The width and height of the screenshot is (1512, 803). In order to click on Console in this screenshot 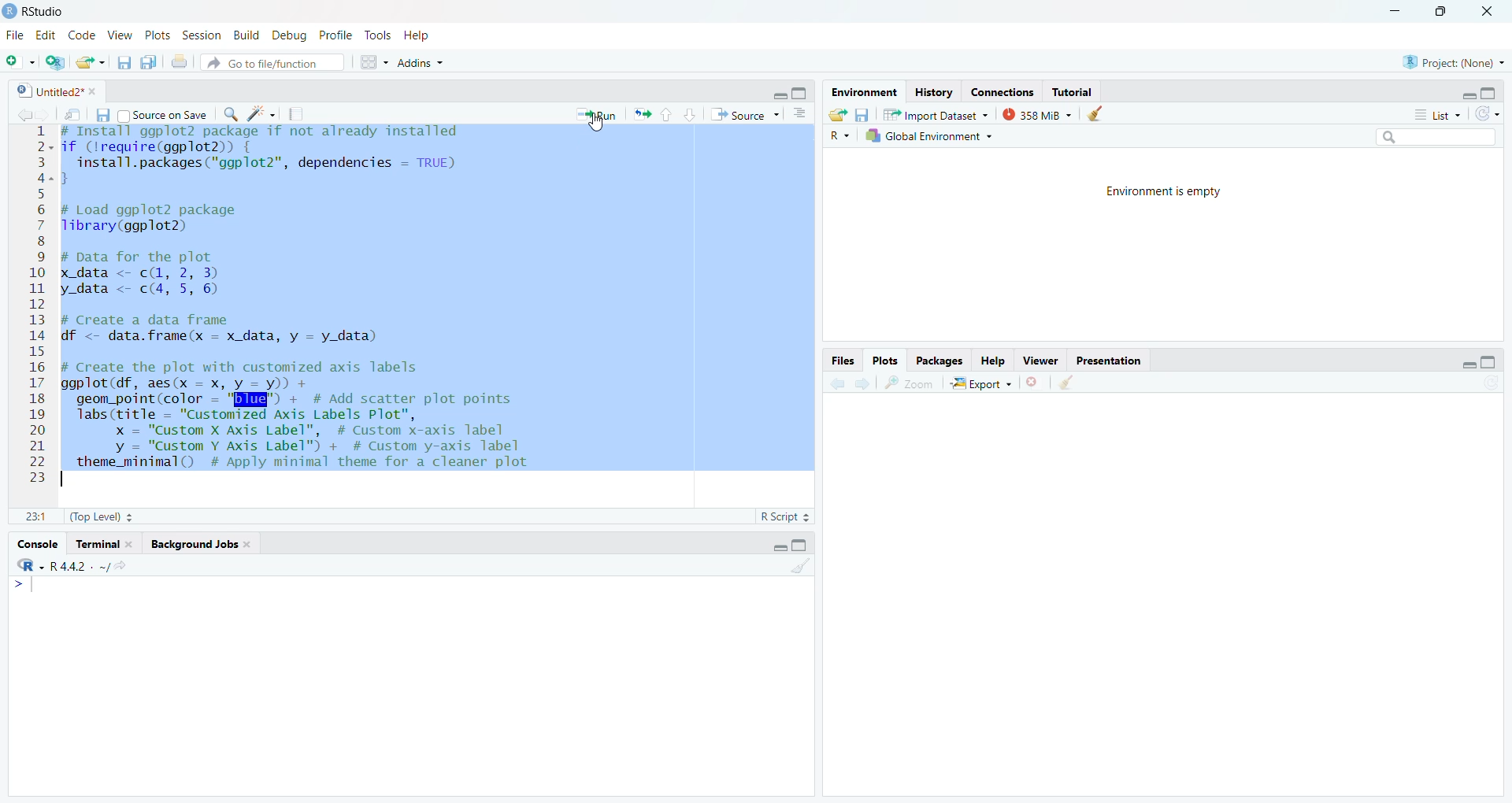, I will do `click(35, 542)`.